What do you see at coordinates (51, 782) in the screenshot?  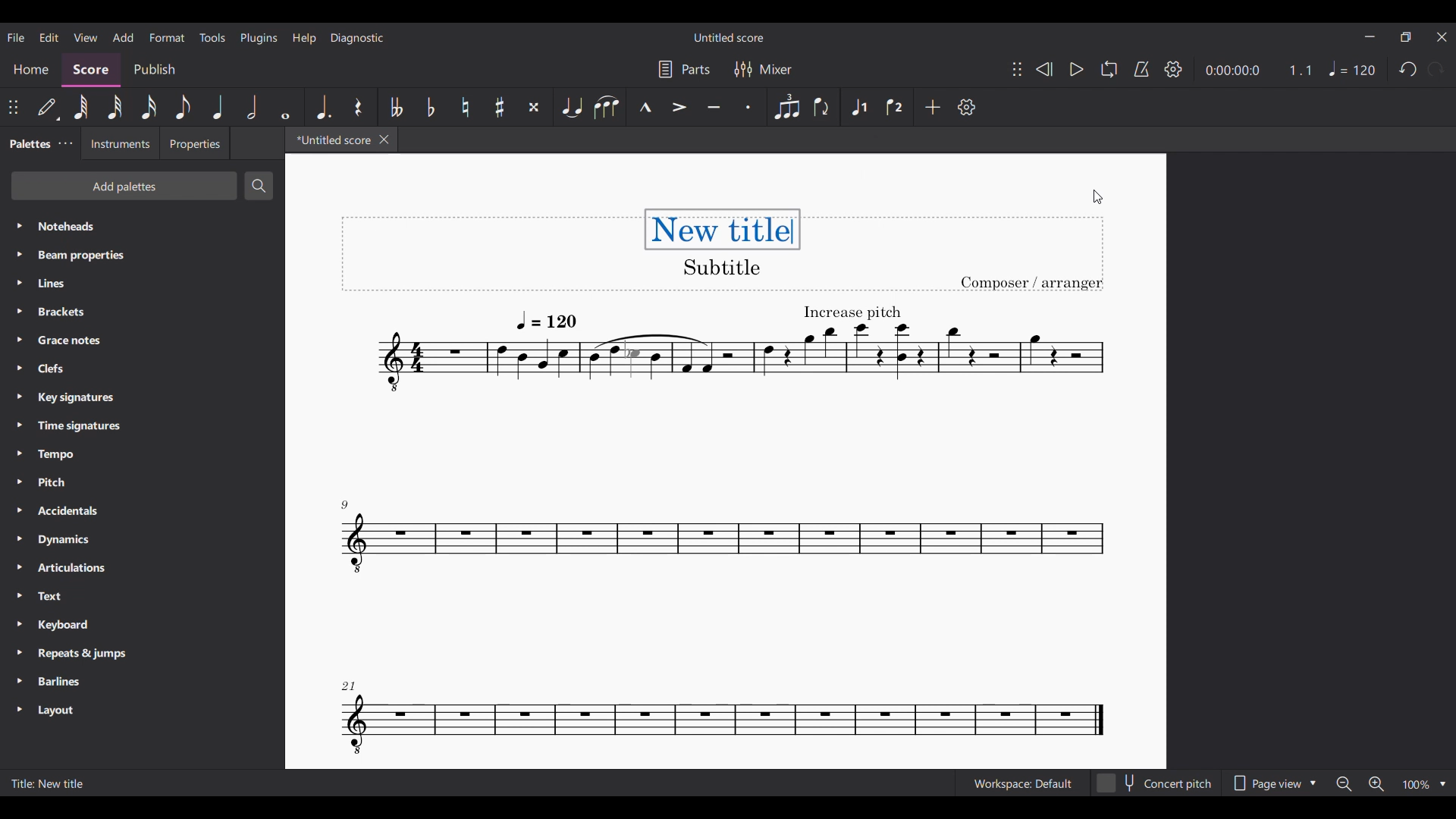 I see `Title: New title` at bounding box center [51, 782].